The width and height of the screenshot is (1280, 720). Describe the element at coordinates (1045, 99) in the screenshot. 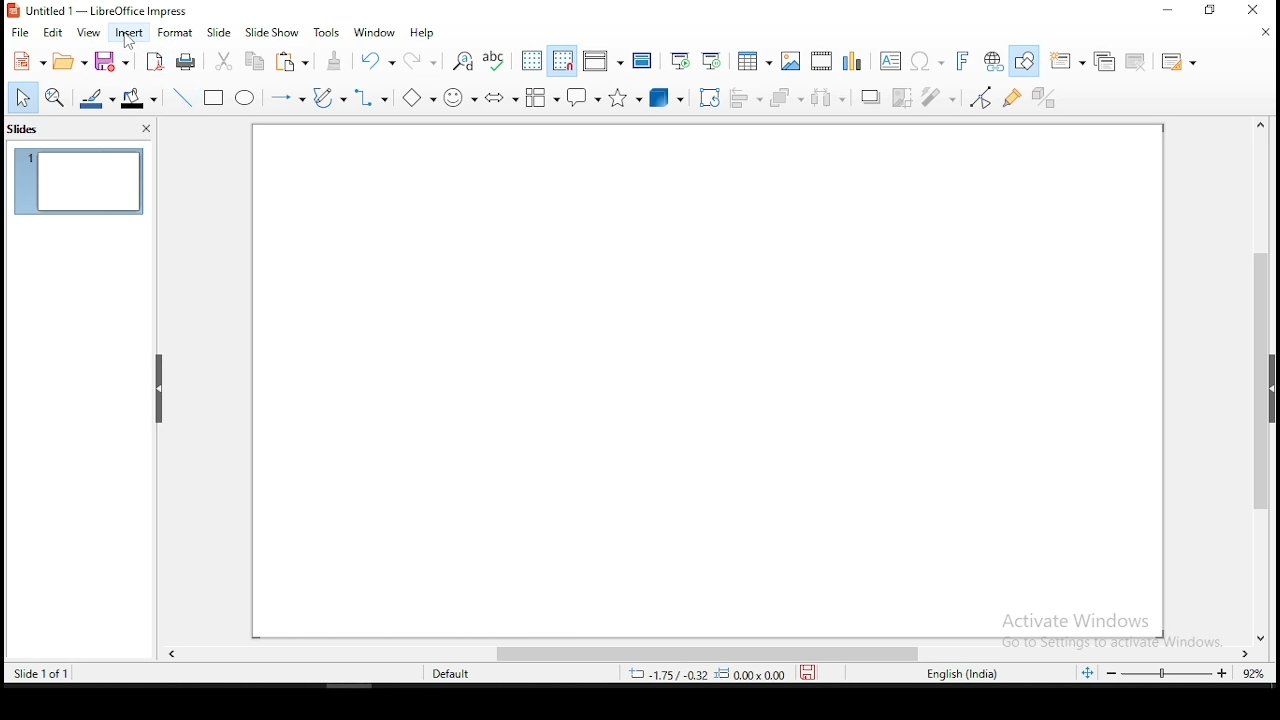

I see `toggle extrusion` at that location.